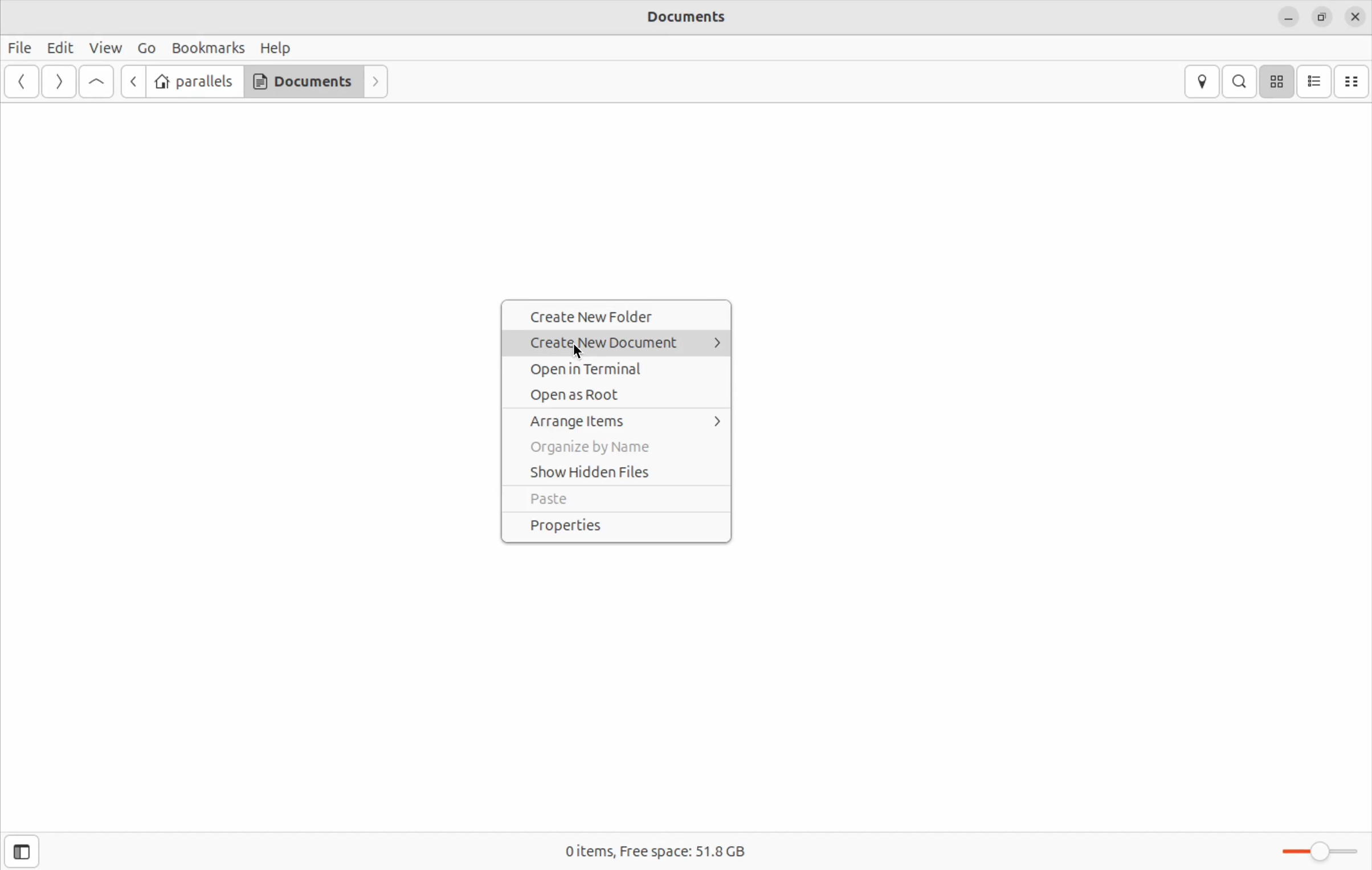 The height and width of the screenshot is (870, 1372). What do you see at coordinates (207, 48) in the screenshot?
I see `bookmarks` at bounding box center [207, 48].